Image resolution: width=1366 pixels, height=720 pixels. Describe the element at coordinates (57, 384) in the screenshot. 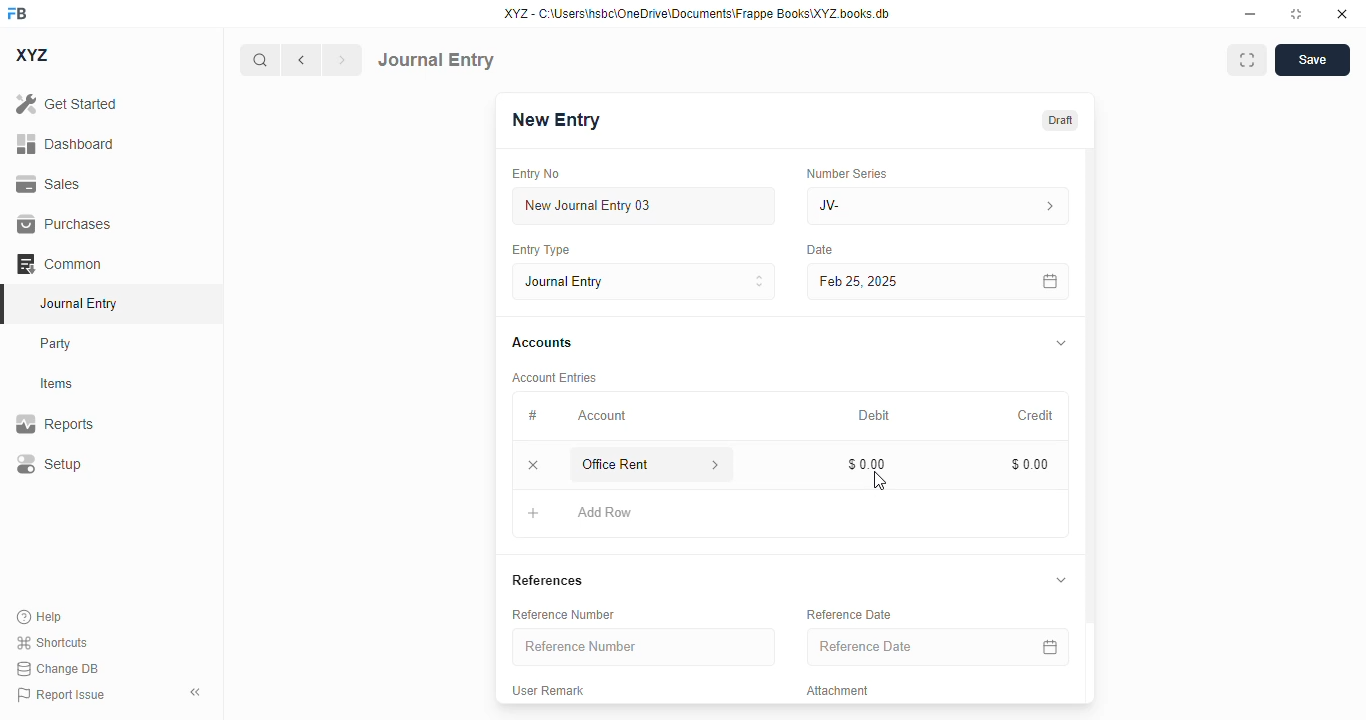

I see `items` at that location.